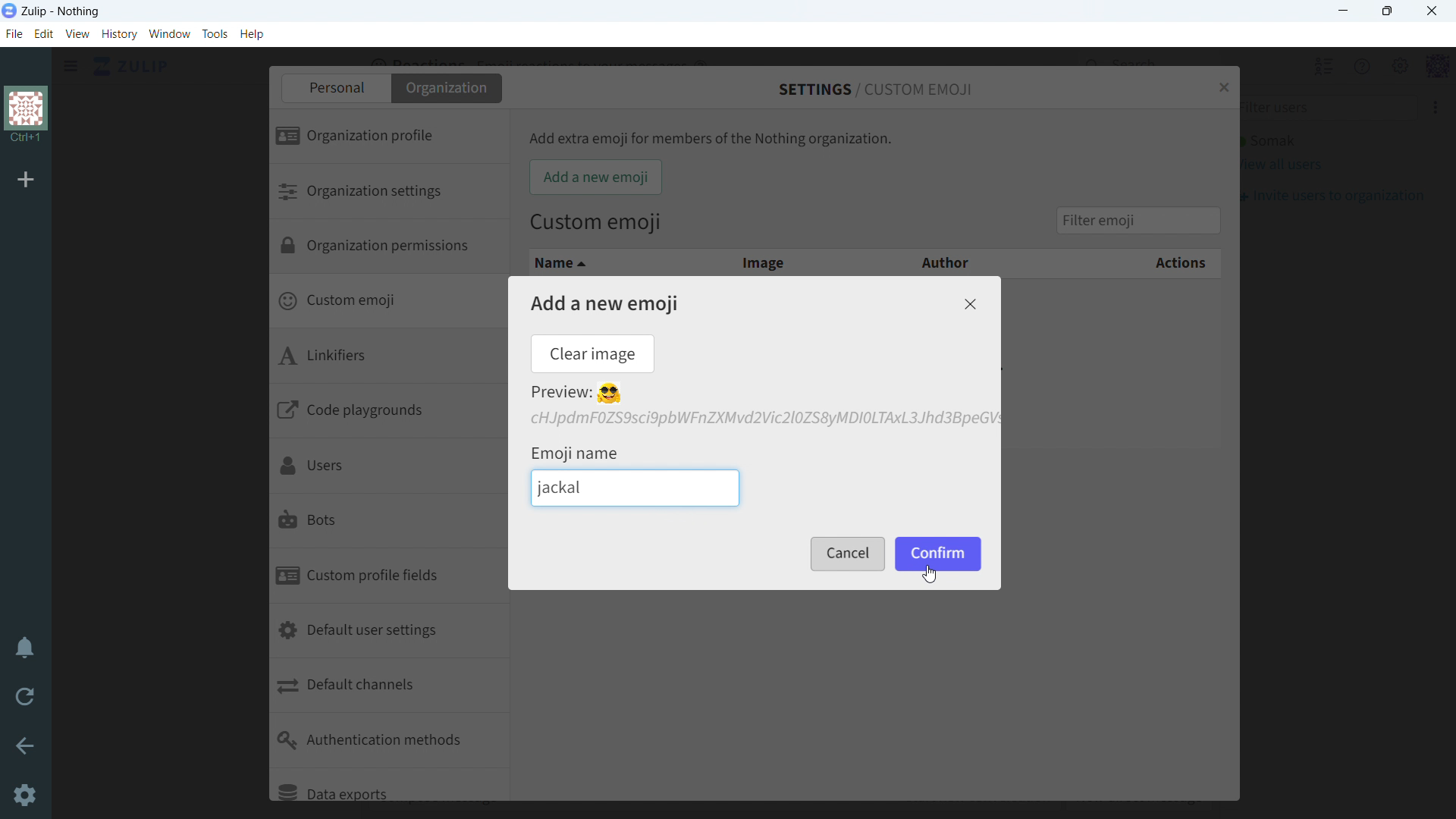 This screenshot has height=819, width=1456. Describe the element at coordinates (170, 34) in the screenshot. I see `window` at that location.